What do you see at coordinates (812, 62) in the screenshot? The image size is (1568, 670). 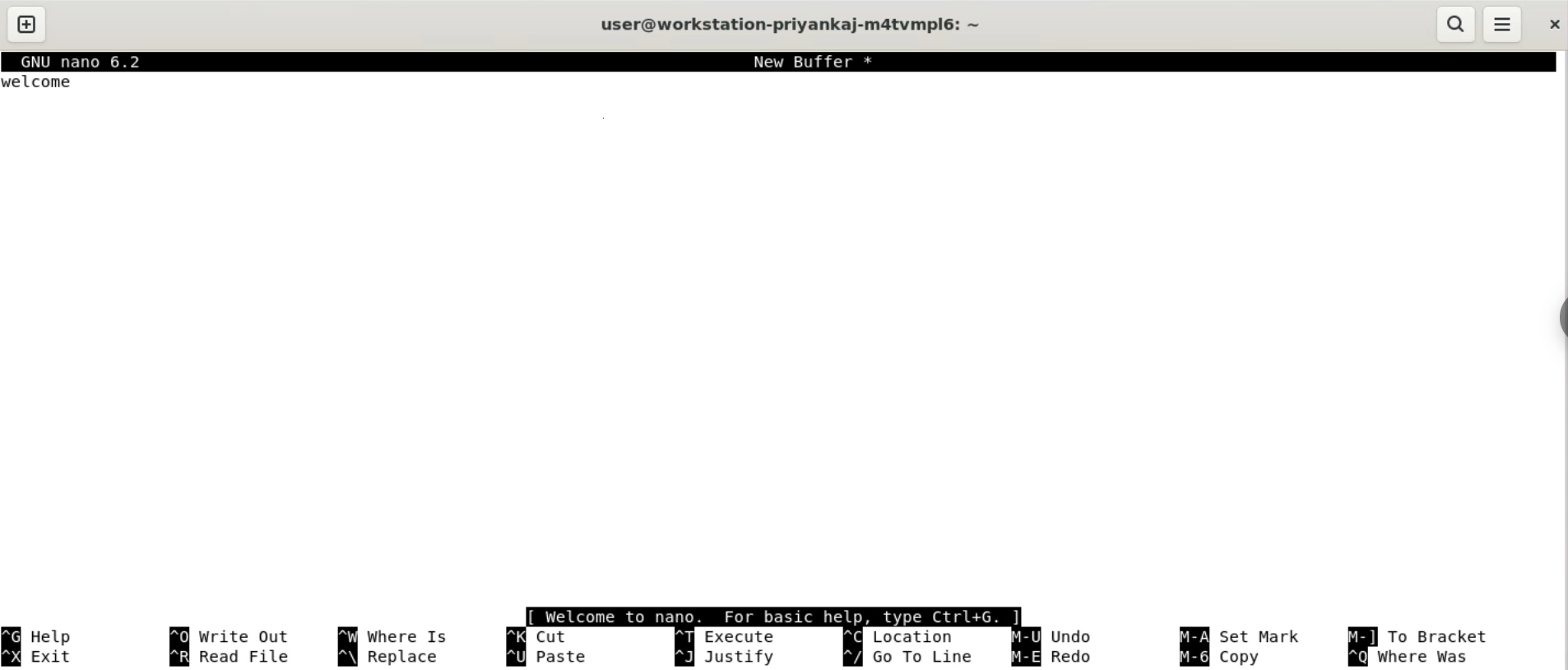 I see `New Buffer *` at bounding box center [812, 62].